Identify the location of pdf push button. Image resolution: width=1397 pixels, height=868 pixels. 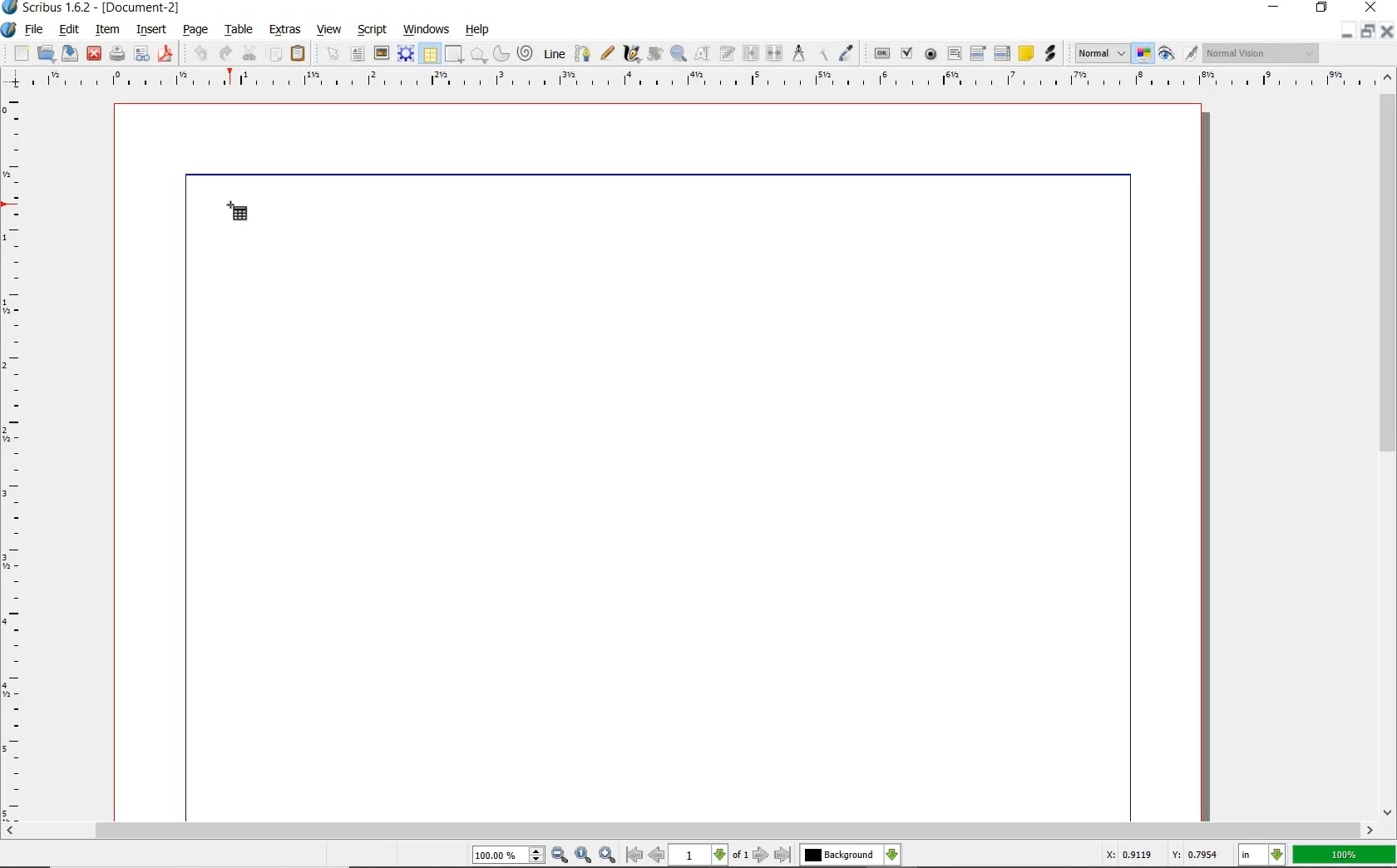
(882, 54).